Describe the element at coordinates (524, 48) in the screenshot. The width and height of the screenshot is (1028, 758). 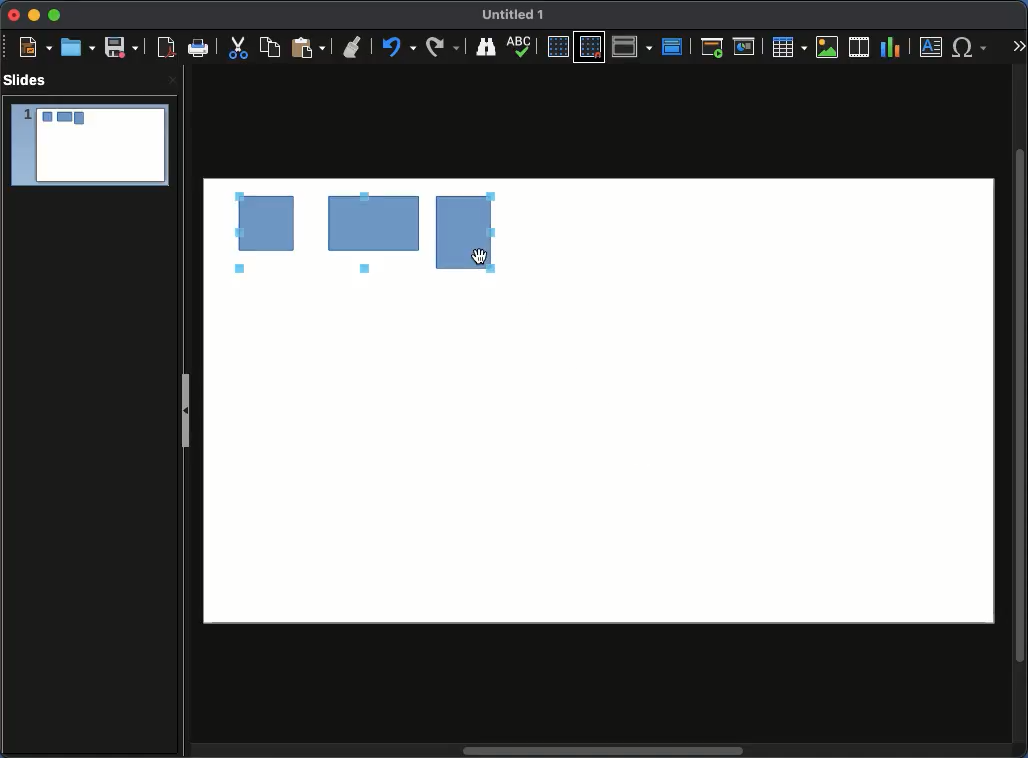
I see `Display` at that location.